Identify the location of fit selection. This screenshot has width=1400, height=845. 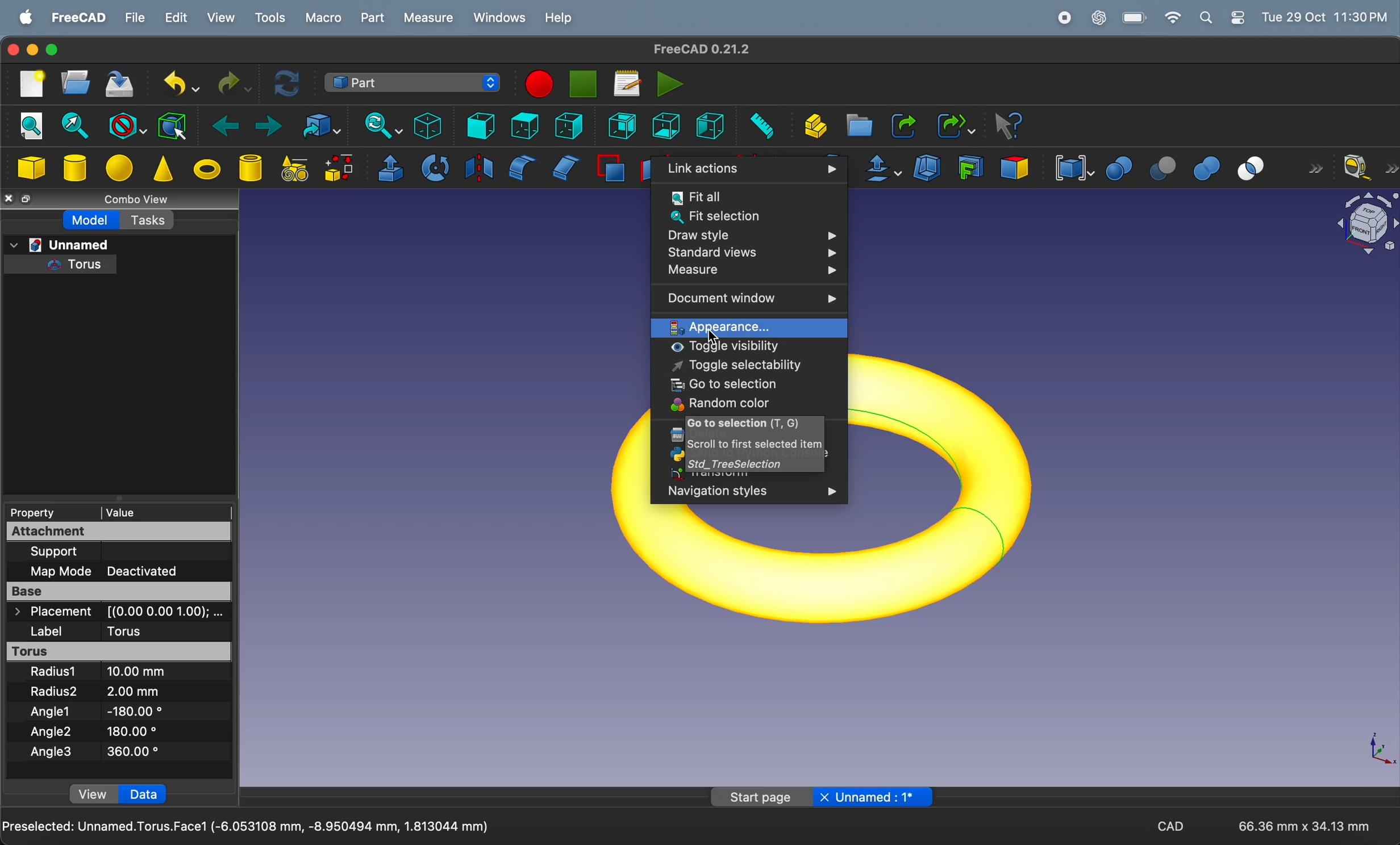
(726, 217).